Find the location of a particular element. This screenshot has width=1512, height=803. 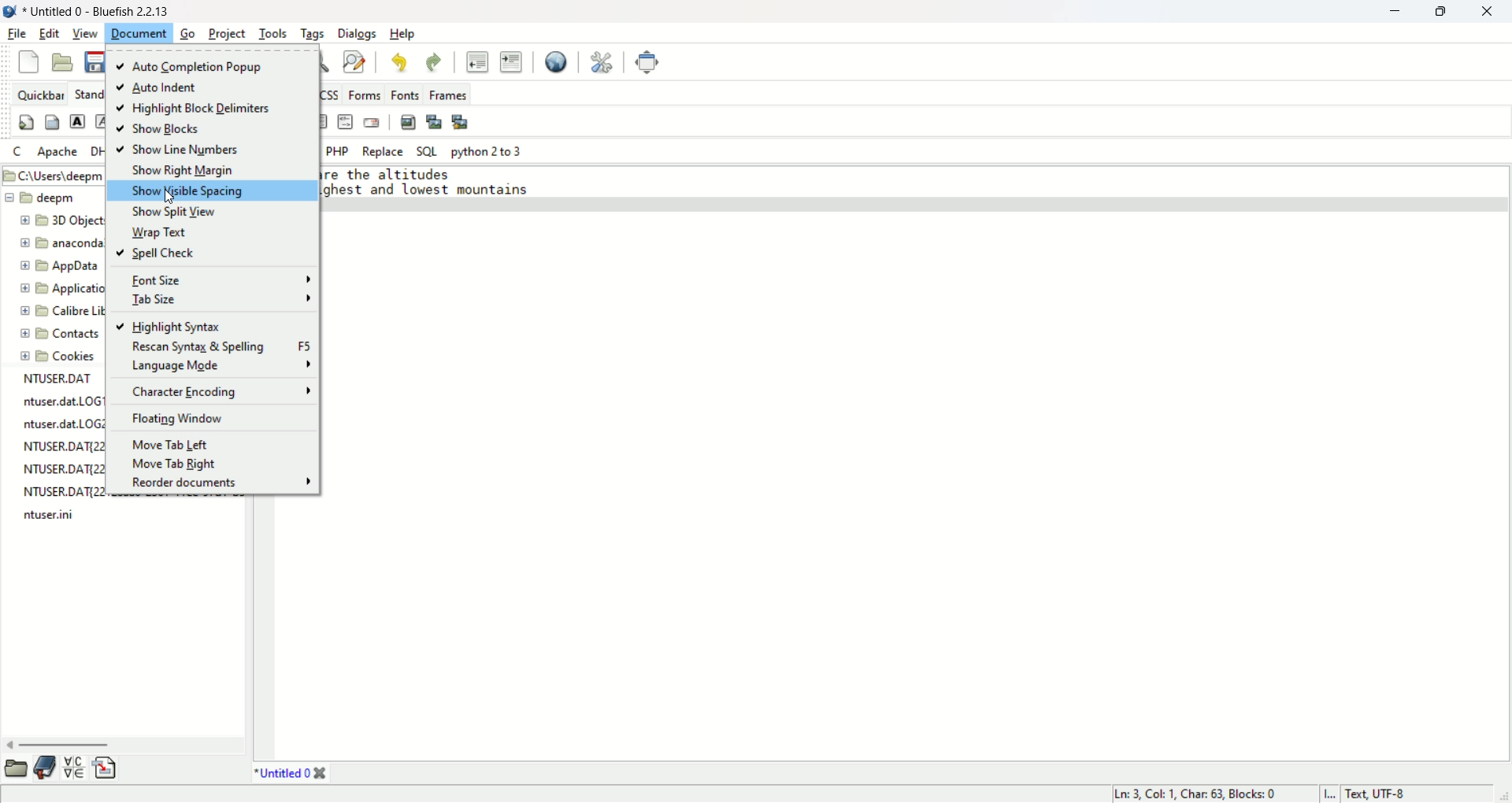

application is located at coordinates (62, 288).